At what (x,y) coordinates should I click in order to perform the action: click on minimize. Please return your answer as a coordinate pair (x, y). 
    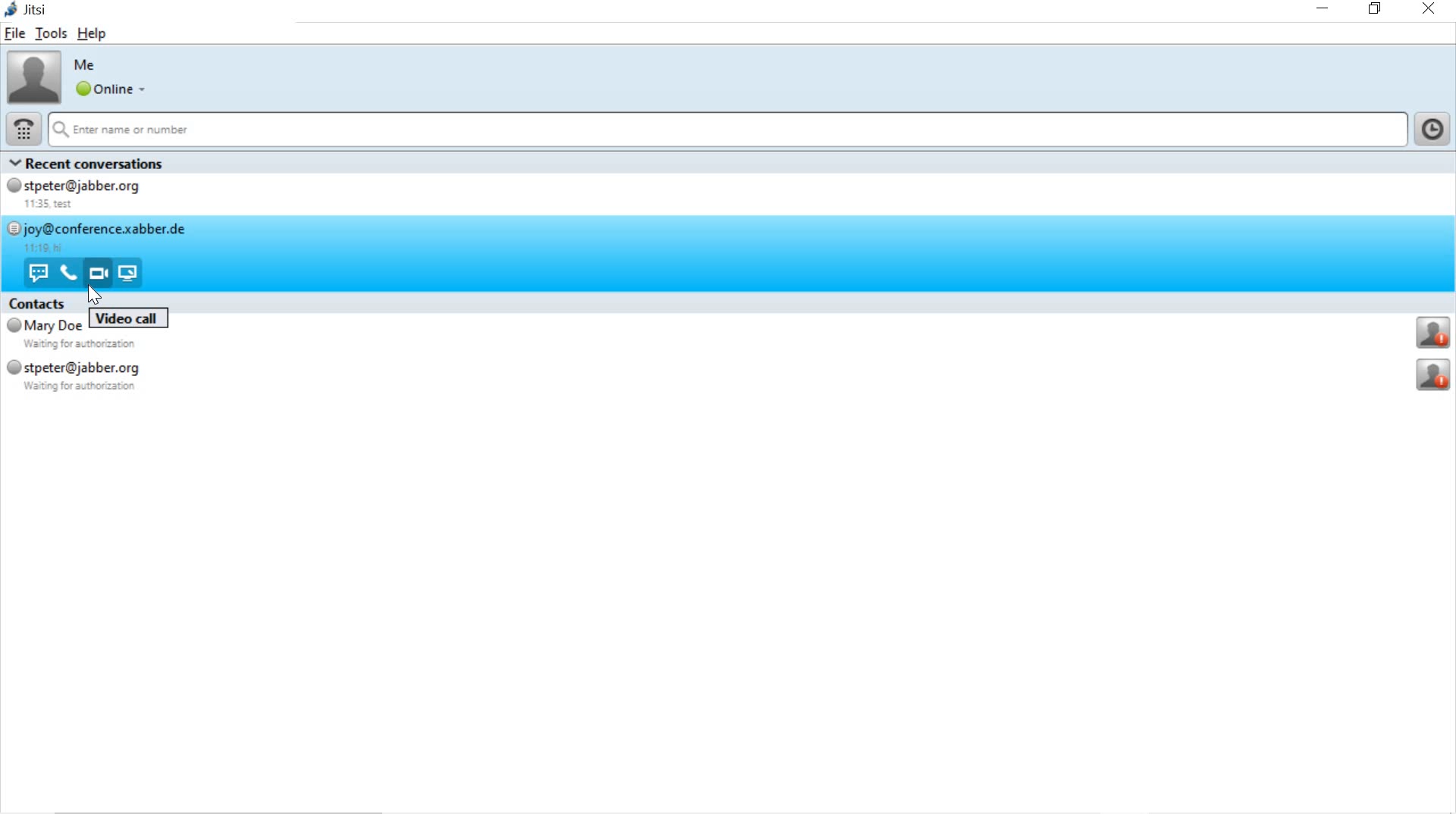
    Looking at the image, I should click on (1325, 8).